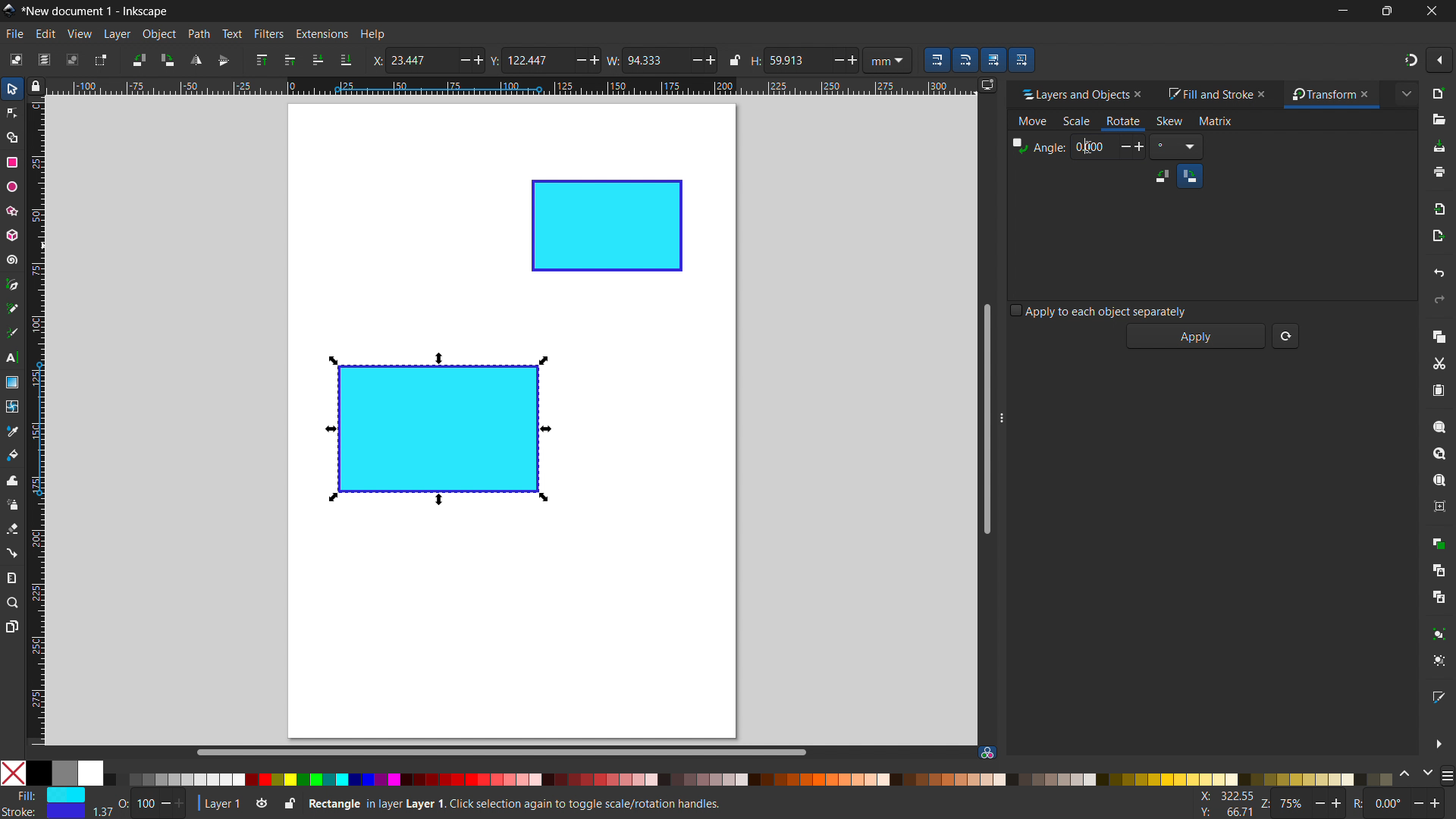 The width and height of the screenshot is (1456, 819). What do you see at coordinates (435, 429) in the screenshot?
I see `object 1` at bounding box center [435, 429].